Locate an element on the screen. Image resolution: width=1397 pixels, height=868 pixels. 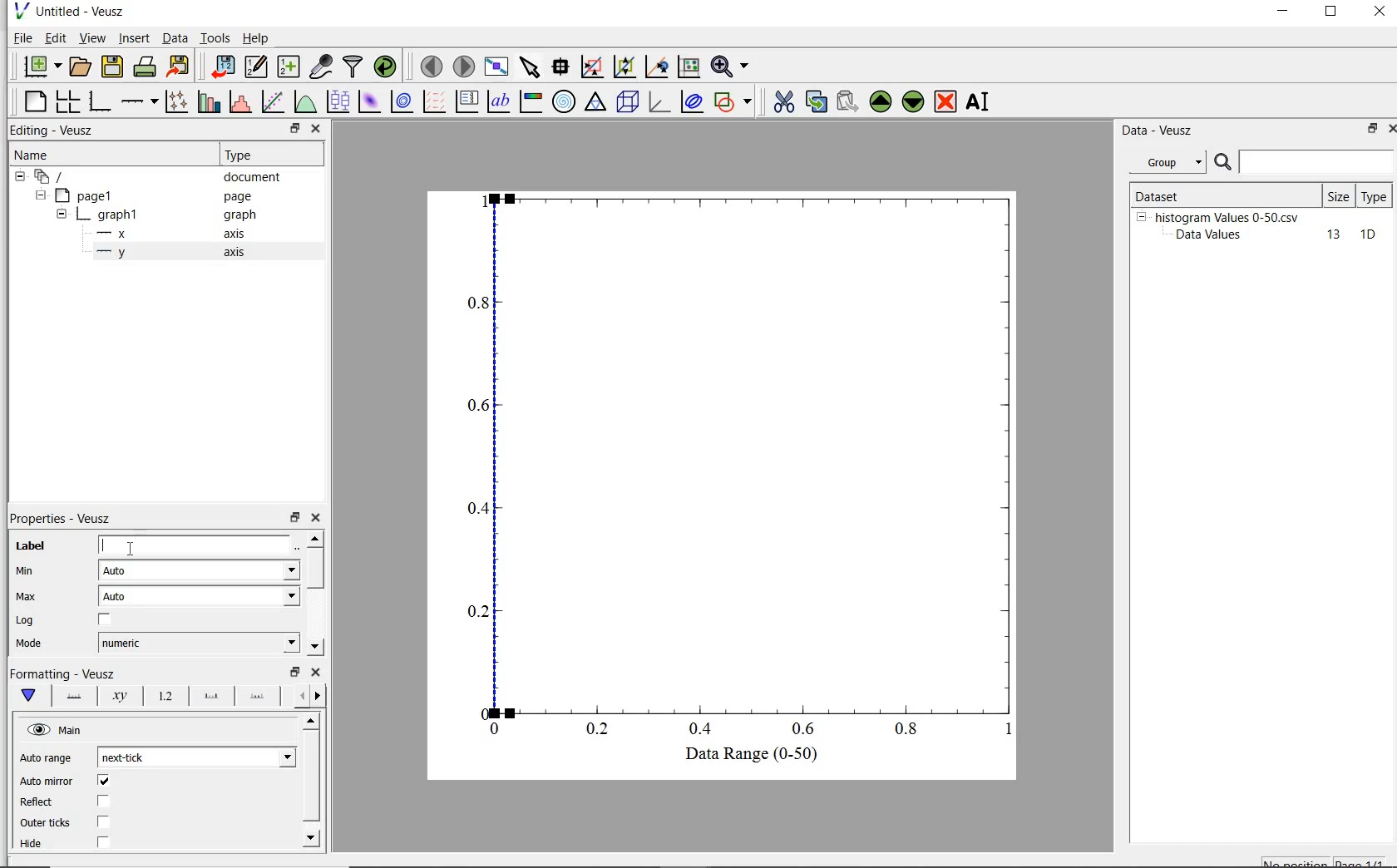
minimize is located at coordinates (1284, 13).